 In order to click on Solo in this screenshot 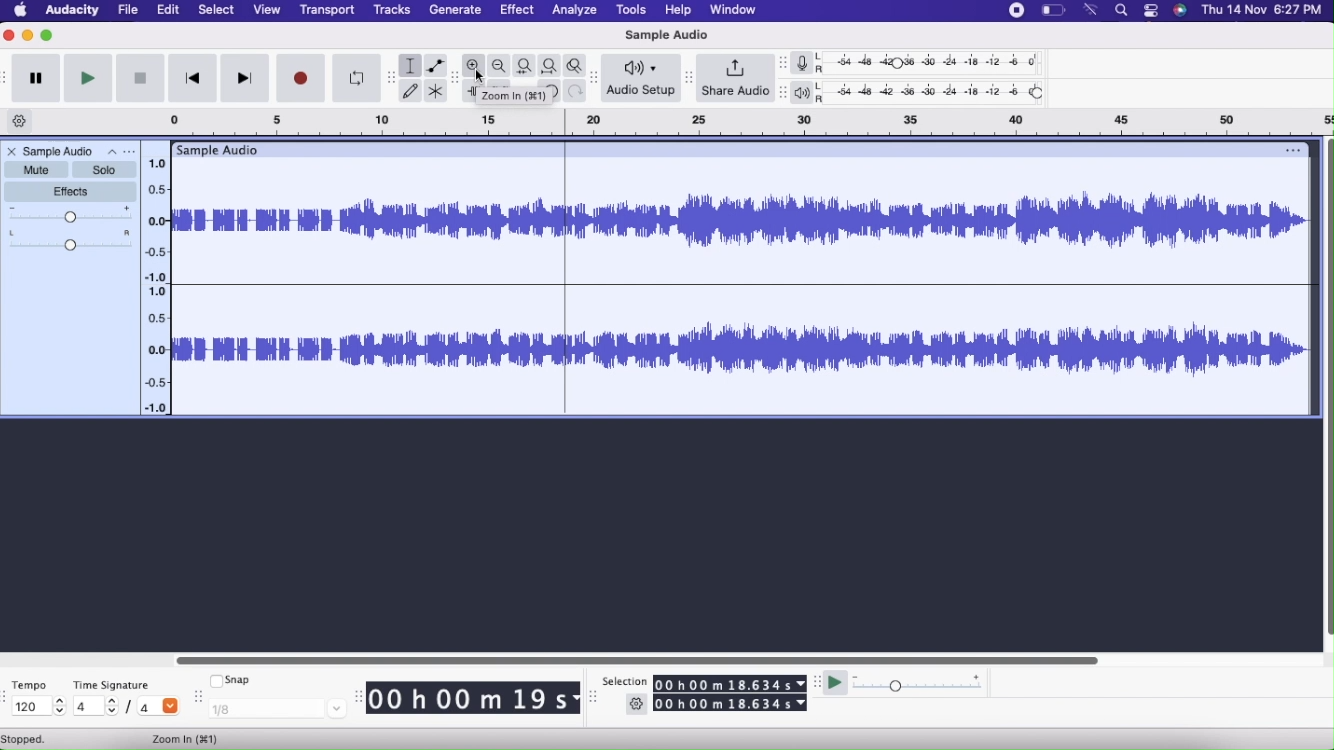, I will do `click(105, 170)`.